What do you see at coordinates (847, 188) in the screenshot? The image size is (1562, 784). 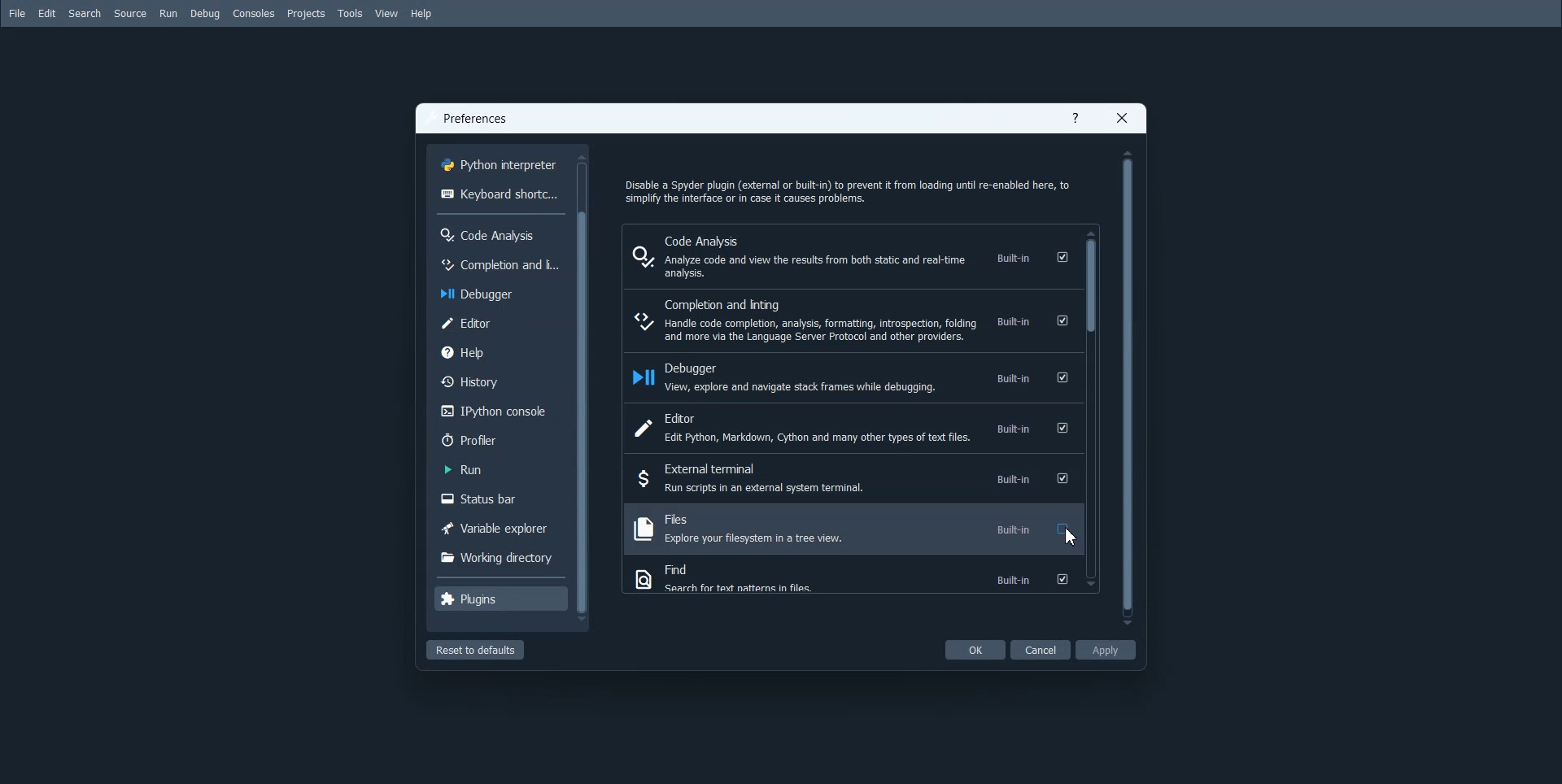 I see `Text` at bounding box center [847, 188].